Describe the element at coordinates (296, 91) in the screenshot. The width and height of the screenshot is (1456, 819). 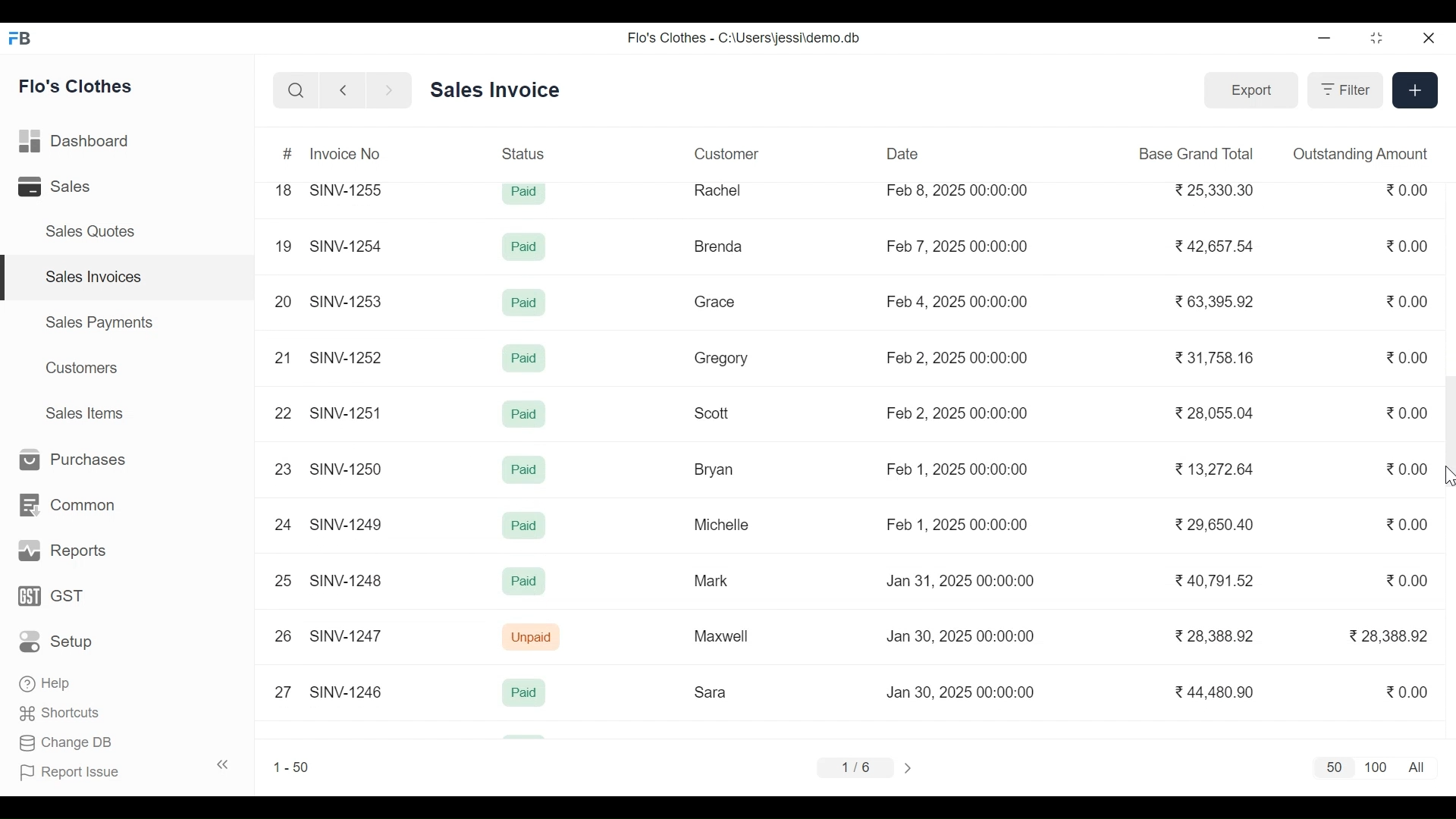
I see `Search` at that location.